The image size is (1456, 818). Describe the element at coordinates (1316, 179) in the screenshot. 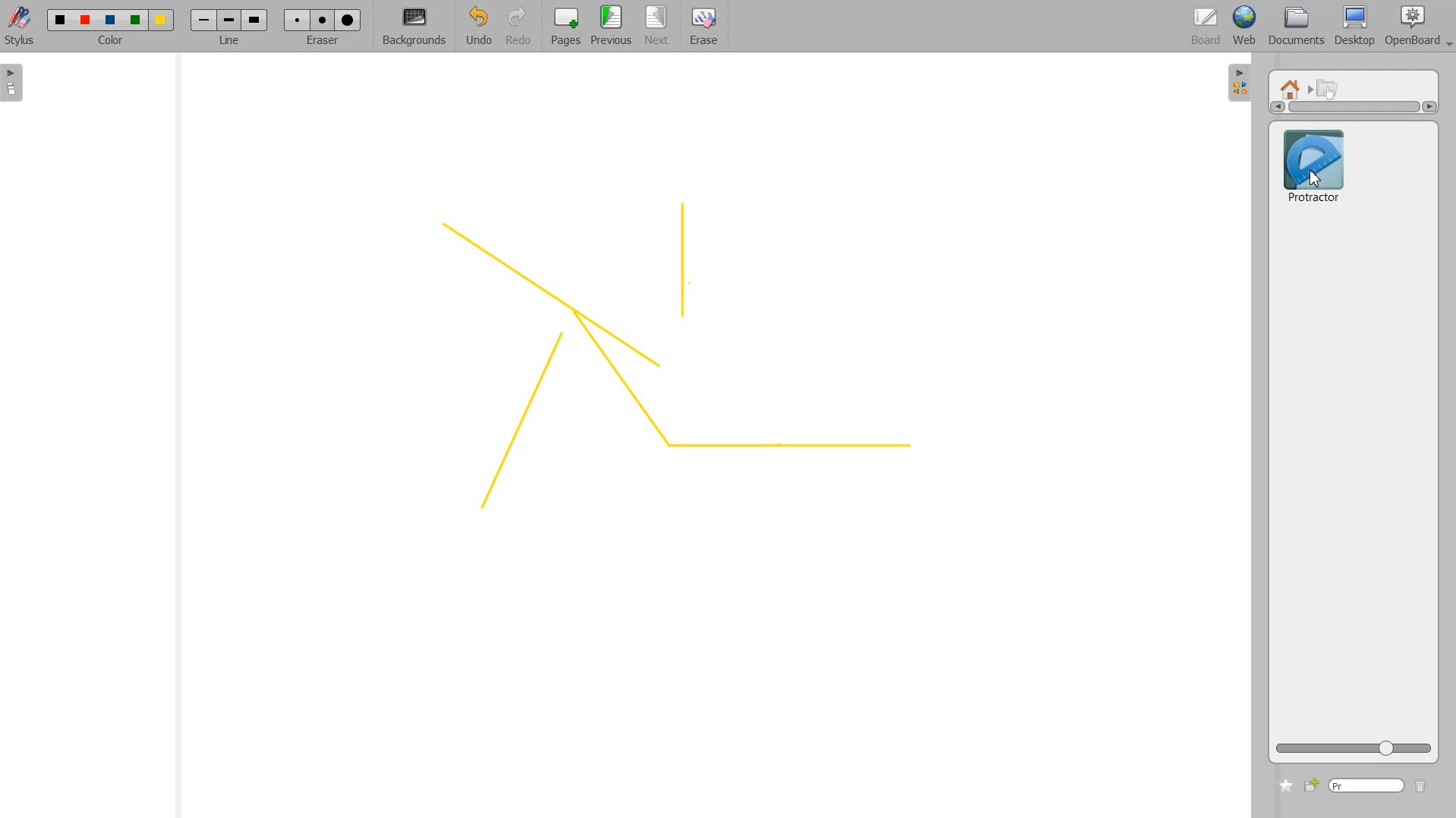

I see `Cursor` at that location.